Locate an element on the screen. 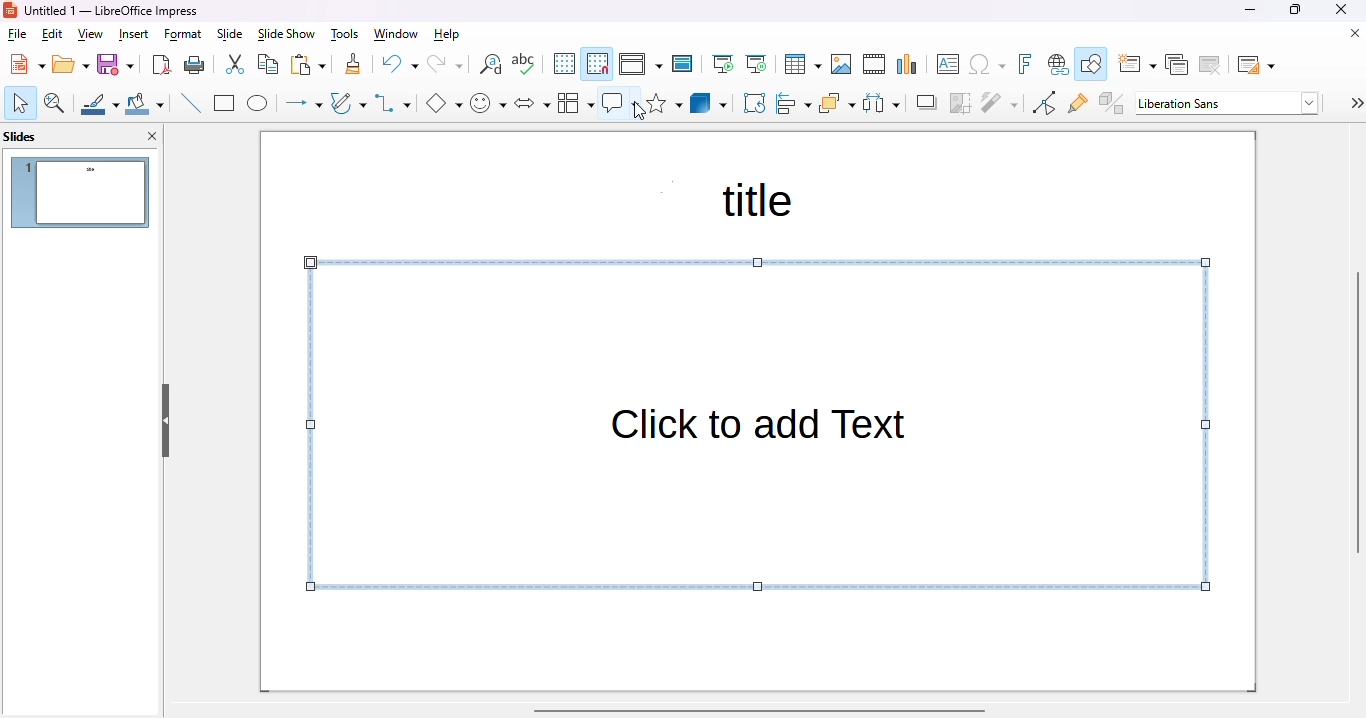 This screenshot has width=1366, height=718. lines and arrows is located at coordinates (302, 104).